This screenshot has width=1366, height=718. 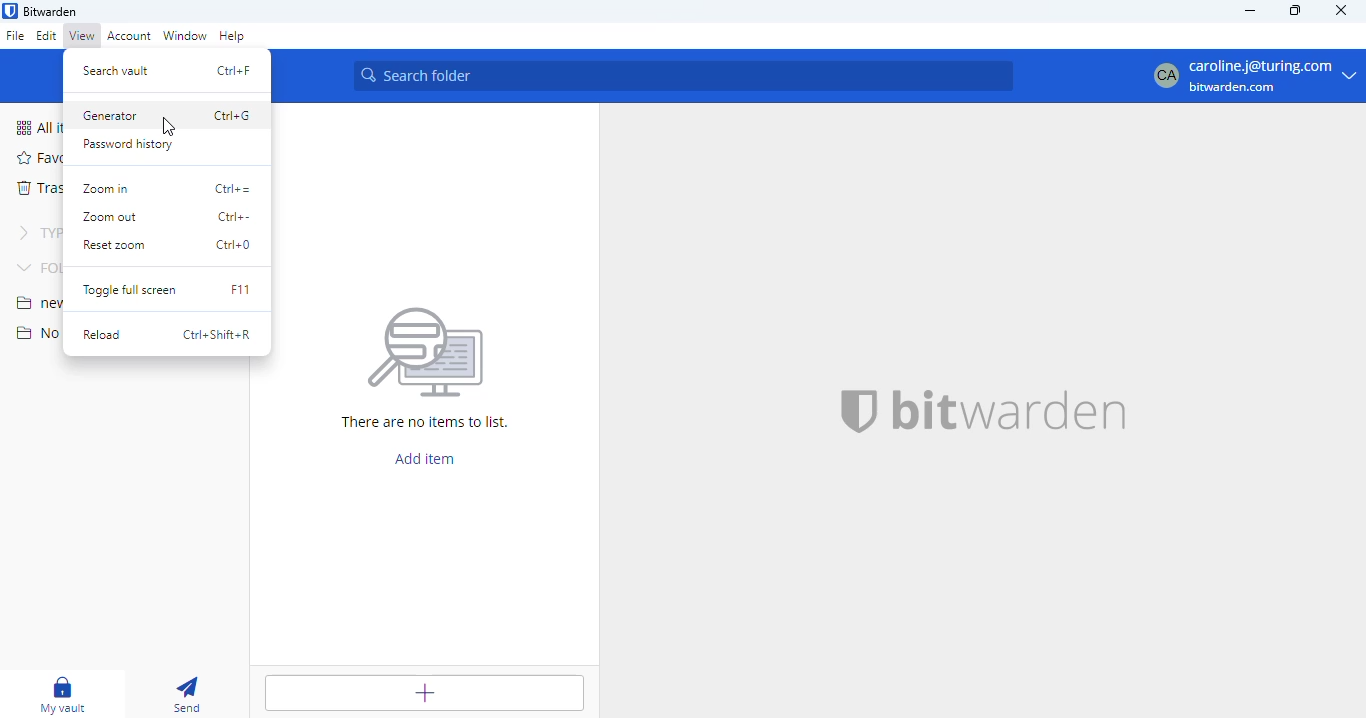 What do you see at coordinates (168, 127) in the screenshot?
I see `cursor` at bounding box center [168, 127].